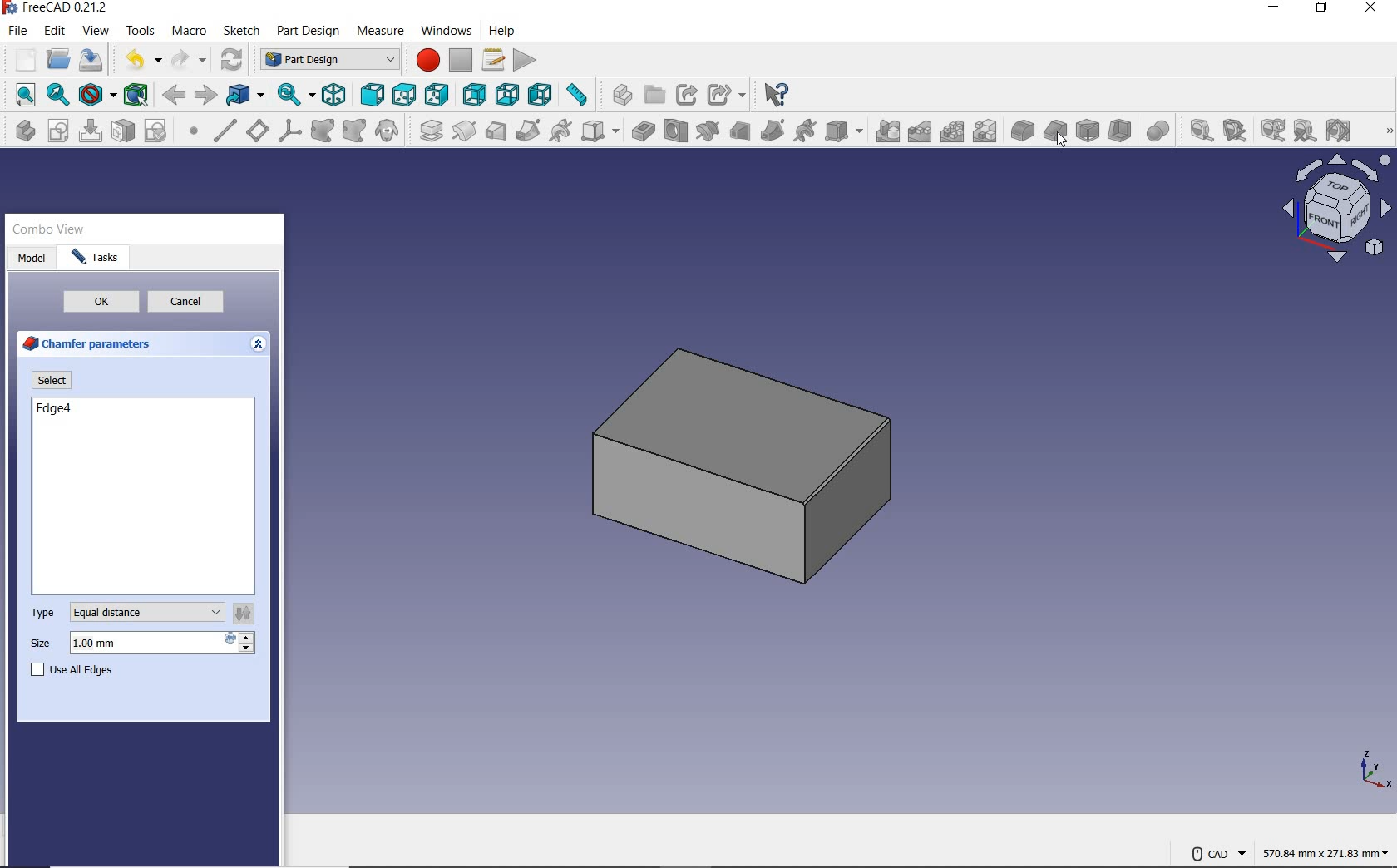  What do you see at coordinates (267, 230) in the screenshot?
I see `close` at bounding box center [267, 230].